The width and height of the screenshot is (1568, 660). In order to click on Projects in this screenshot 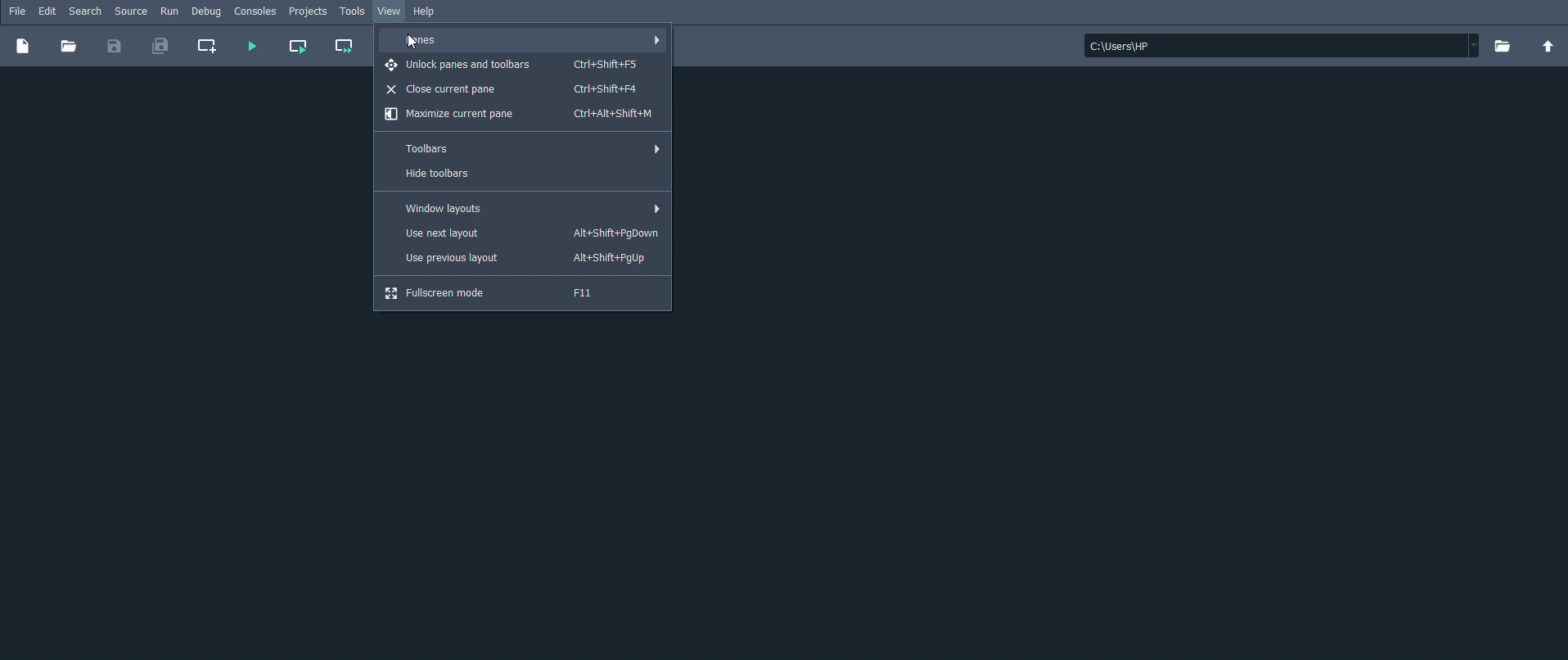, I will do `click(309, 11)`.